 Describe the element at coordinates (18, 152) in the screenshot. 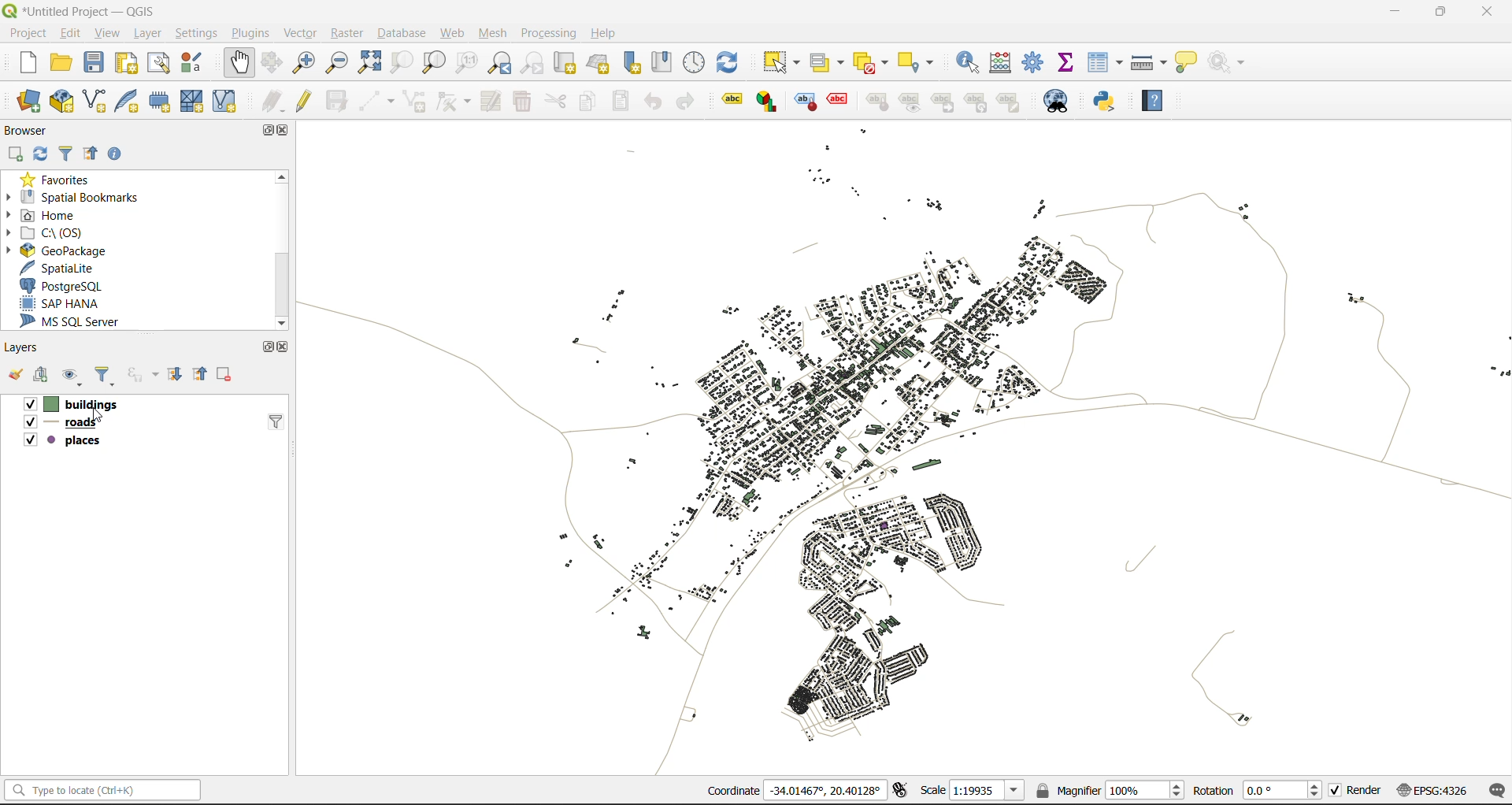

I see `add` at that location.